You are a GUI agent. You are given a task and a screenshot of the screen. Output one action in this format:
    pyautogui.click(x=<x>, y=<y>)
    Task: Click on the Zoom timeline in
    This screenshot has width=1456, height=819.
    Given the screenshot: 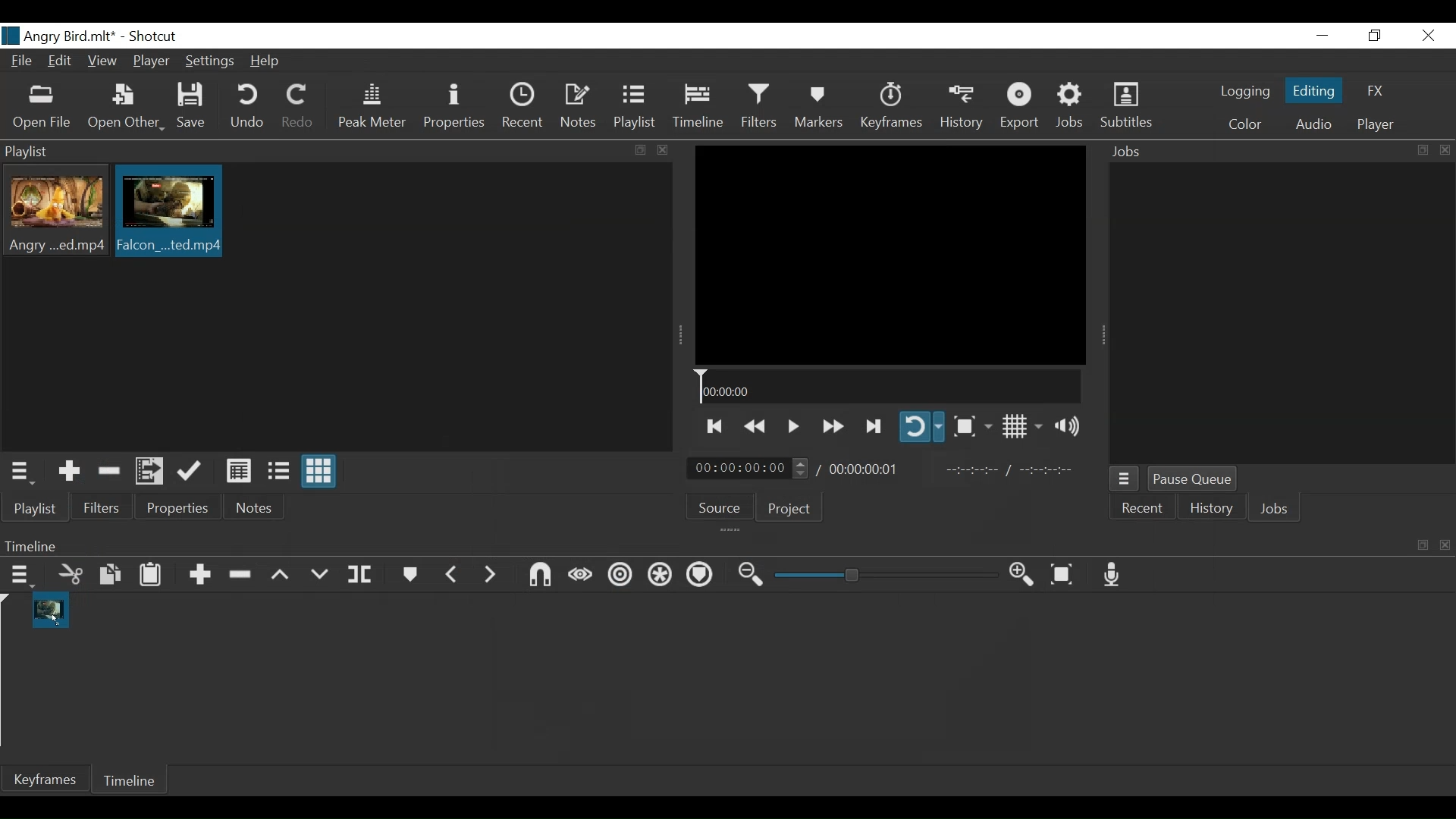 What is the action you would take?
    pyautogui.click(x=1026, y=576)
    